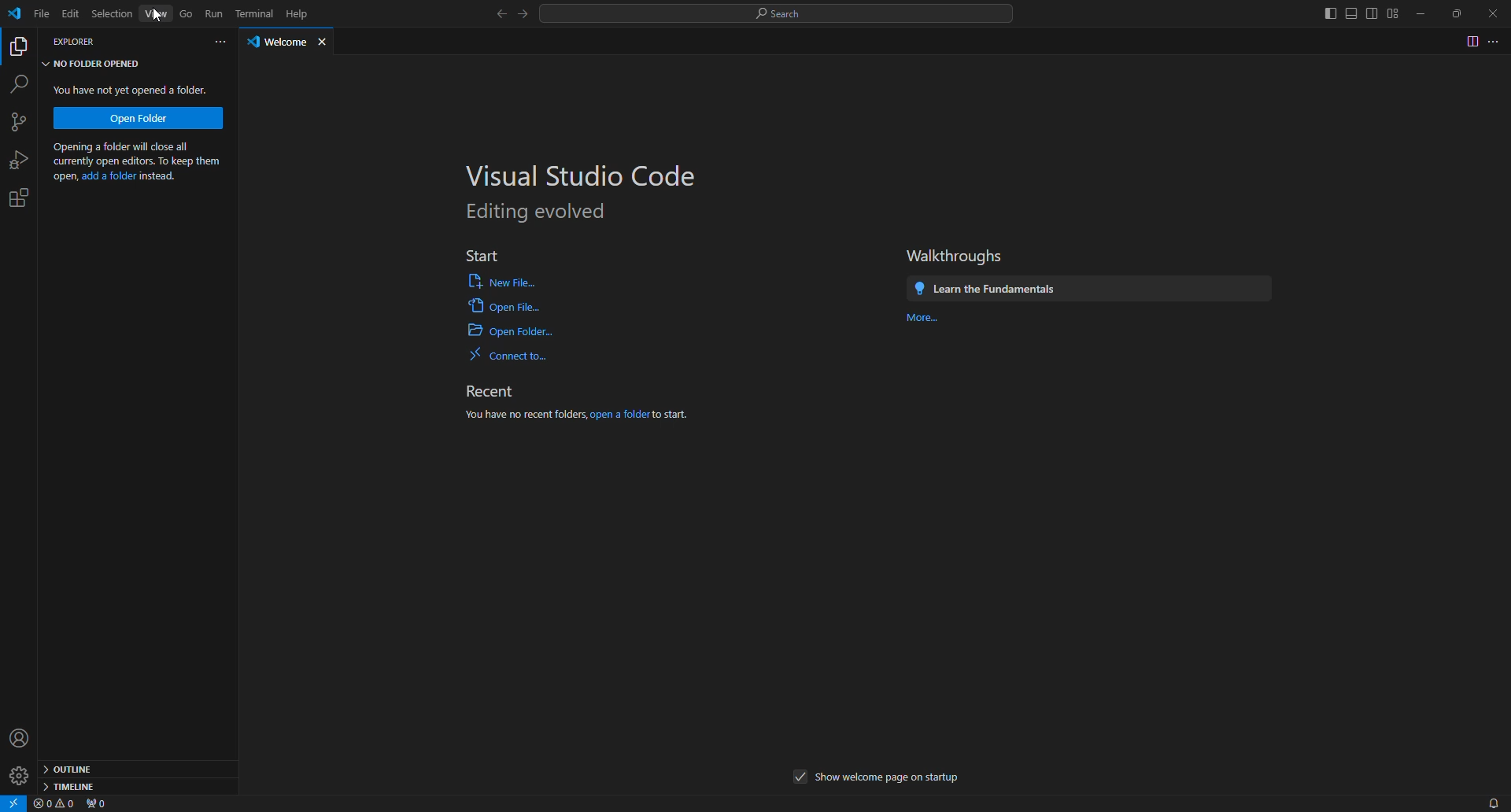  I want to click on Selection, so click(109, 13).